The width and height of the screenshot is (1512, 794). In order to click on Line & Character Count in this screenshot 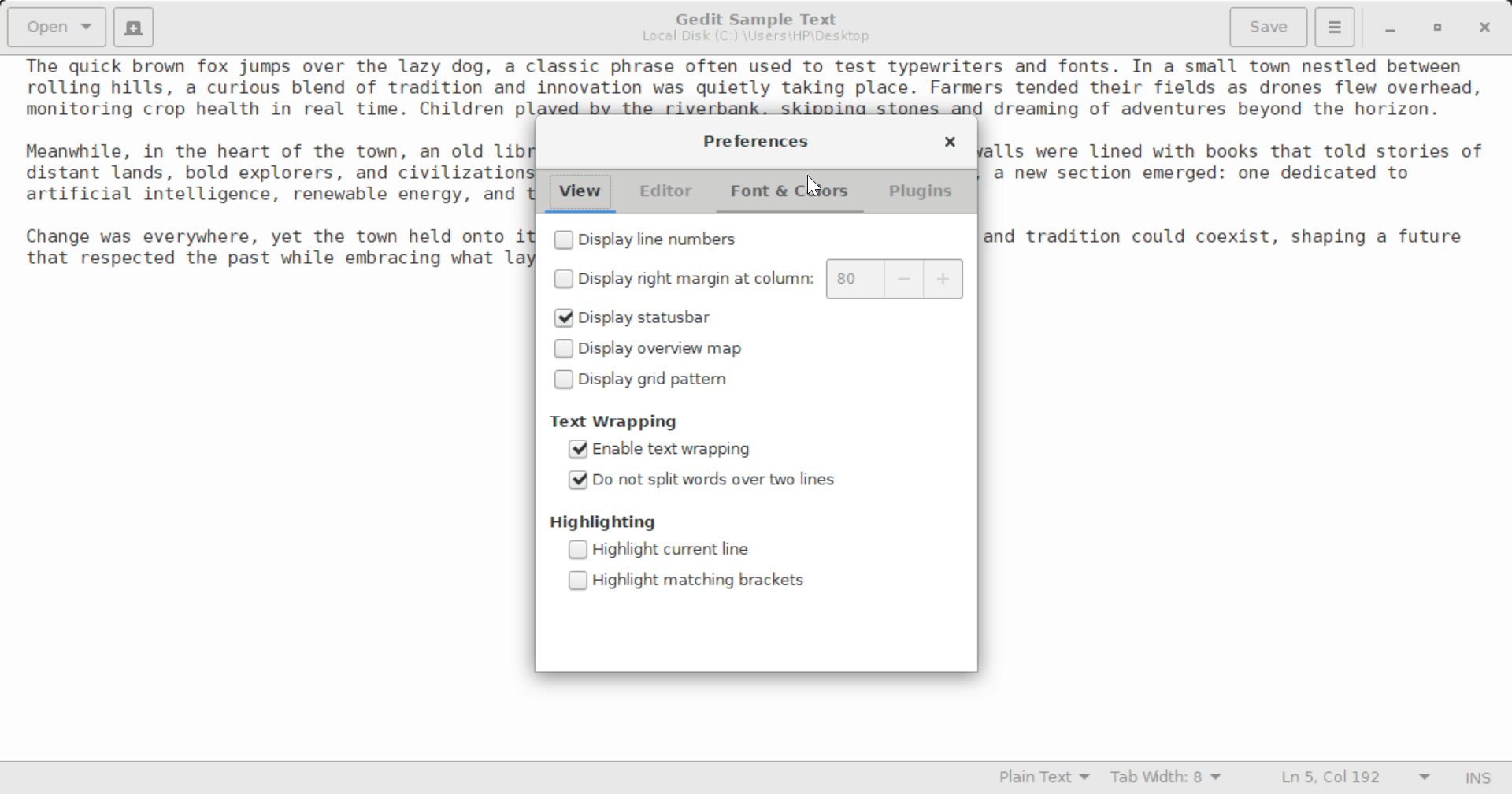, I will do `click(1348, 779)`.